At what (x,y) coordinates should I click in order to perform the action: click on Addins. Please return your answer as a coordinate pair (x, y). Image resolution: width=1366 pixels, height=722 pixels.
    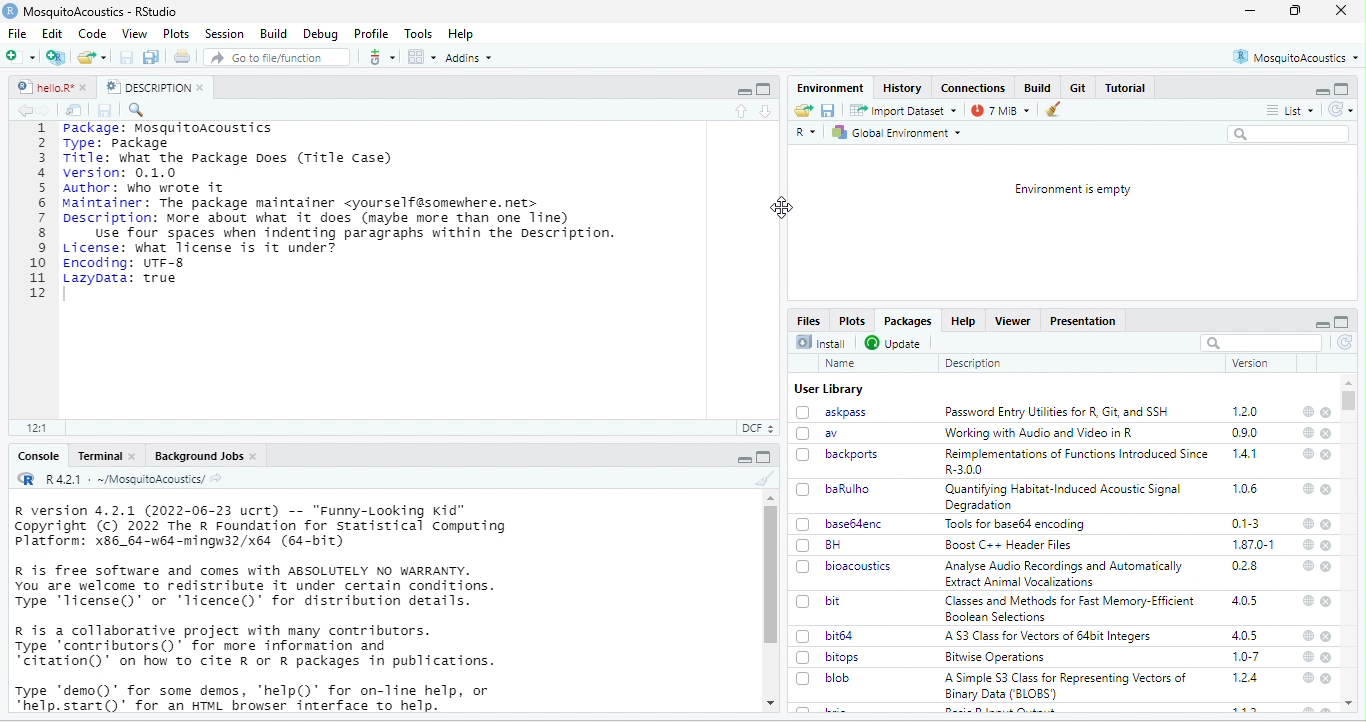
    Looking at the image, I should click on (469, 57).